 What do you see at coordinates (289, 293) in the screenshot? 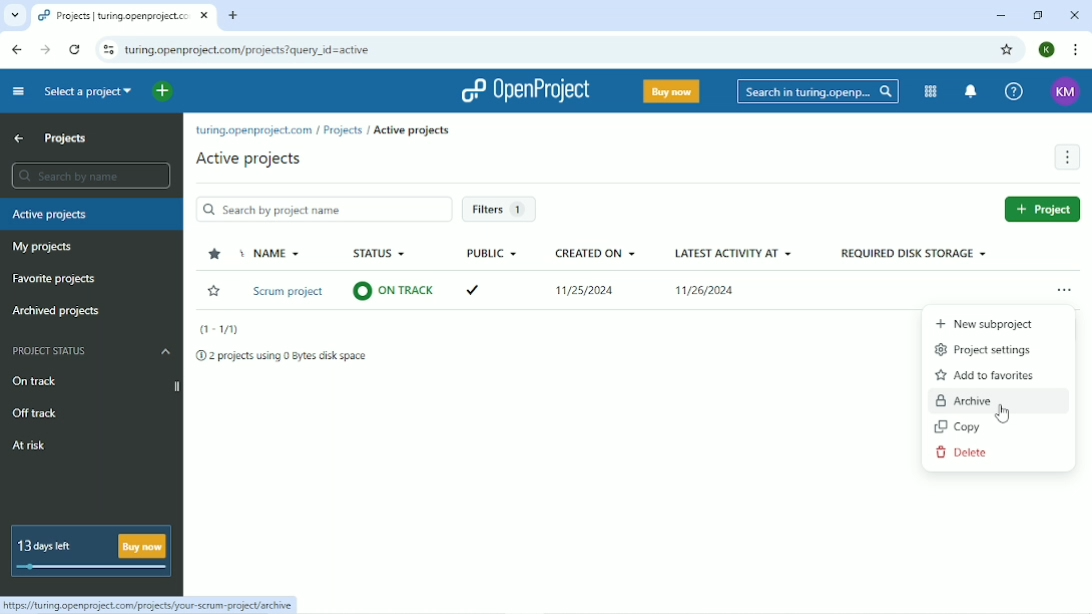
I see `Scrum project` at bounding box center [289, 293].